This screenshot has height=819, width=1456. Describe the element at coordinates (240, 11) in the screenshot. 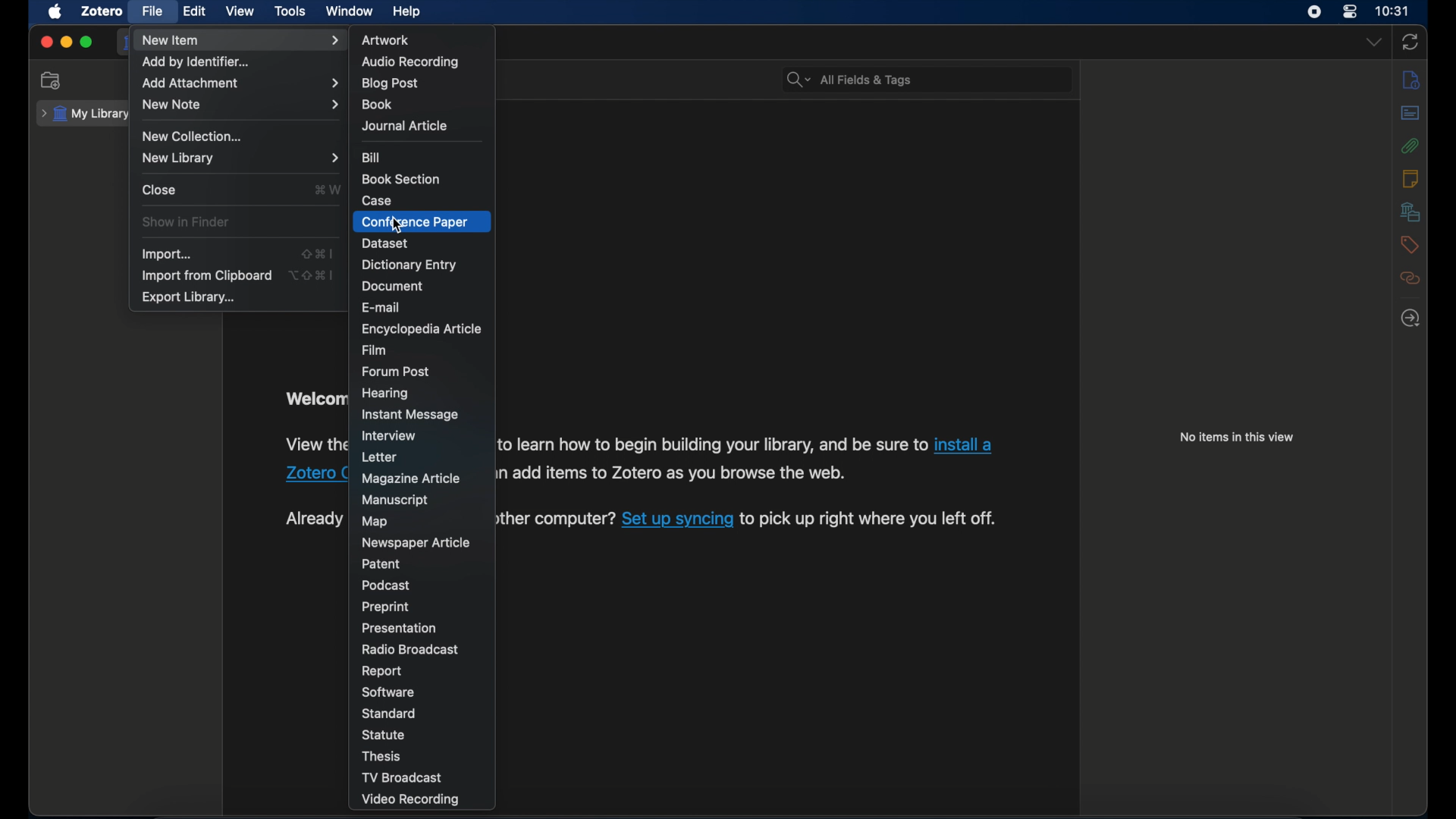

I see `view` at that location.